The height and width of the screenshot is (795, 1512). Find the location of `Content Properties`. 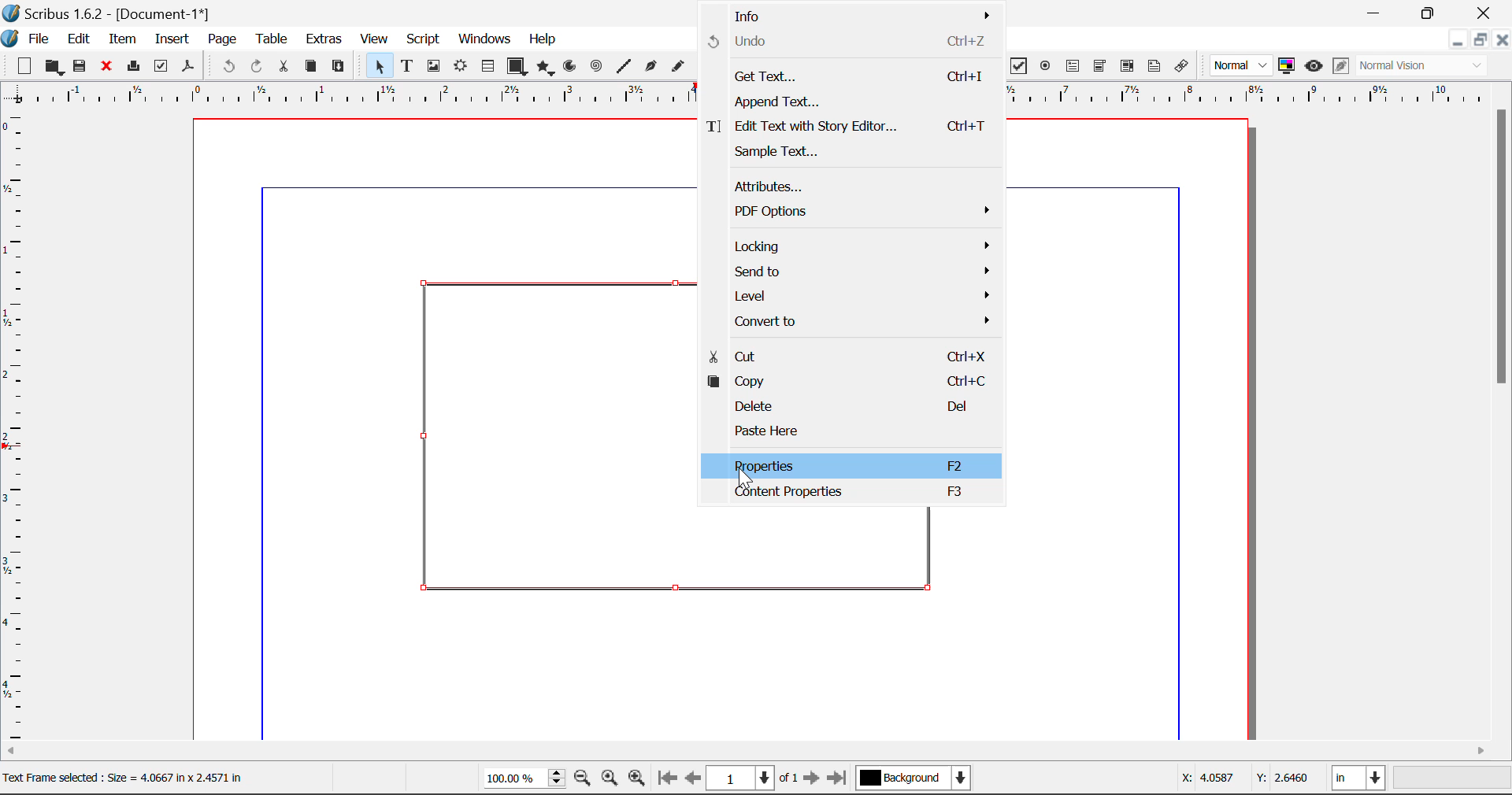

Content Properties is located at coordinates (852, 495).